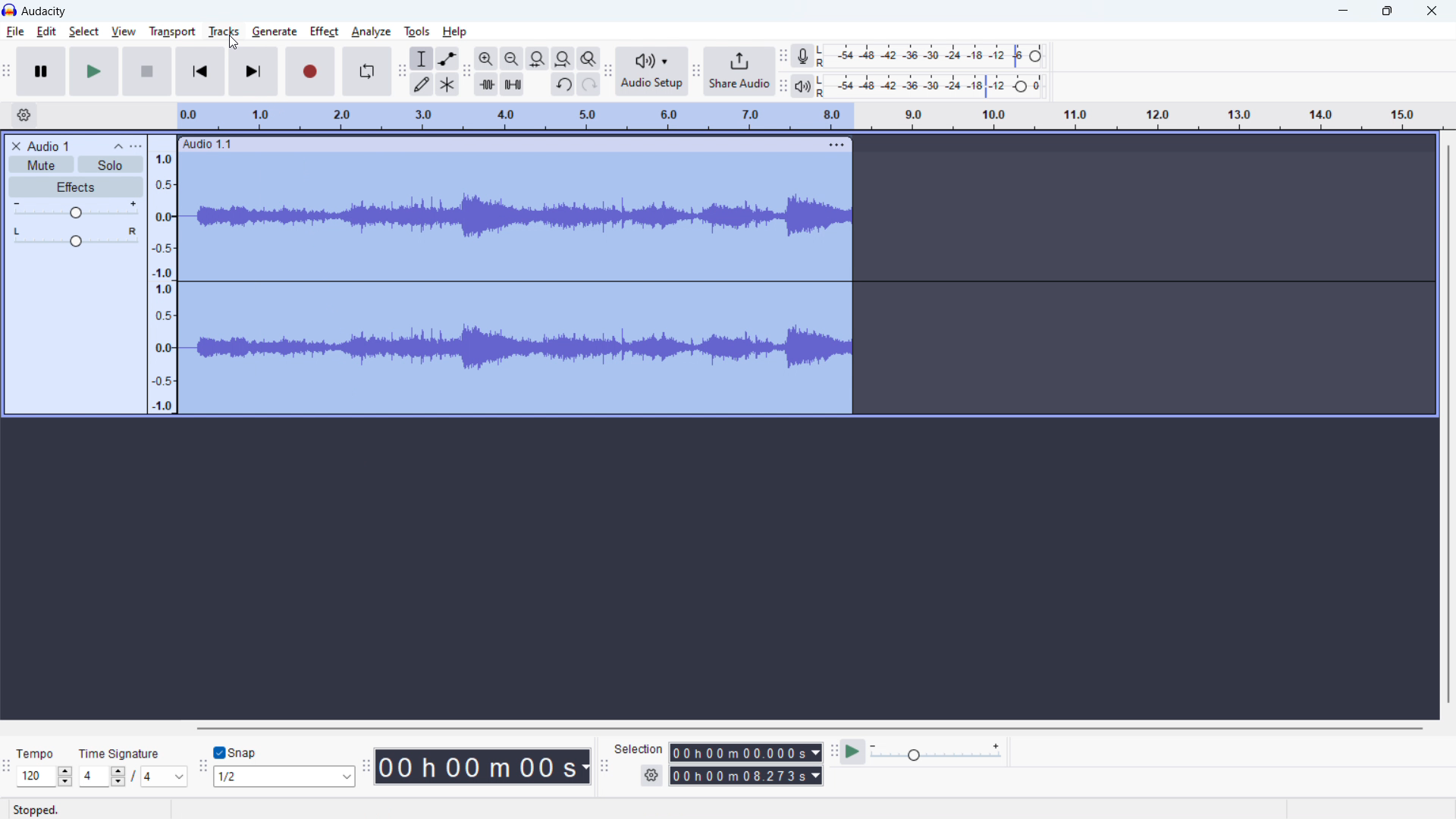  What do you see at coordinates (1433, 11) in the screenshot?
I see `close` at bounding box center [1433, 11].